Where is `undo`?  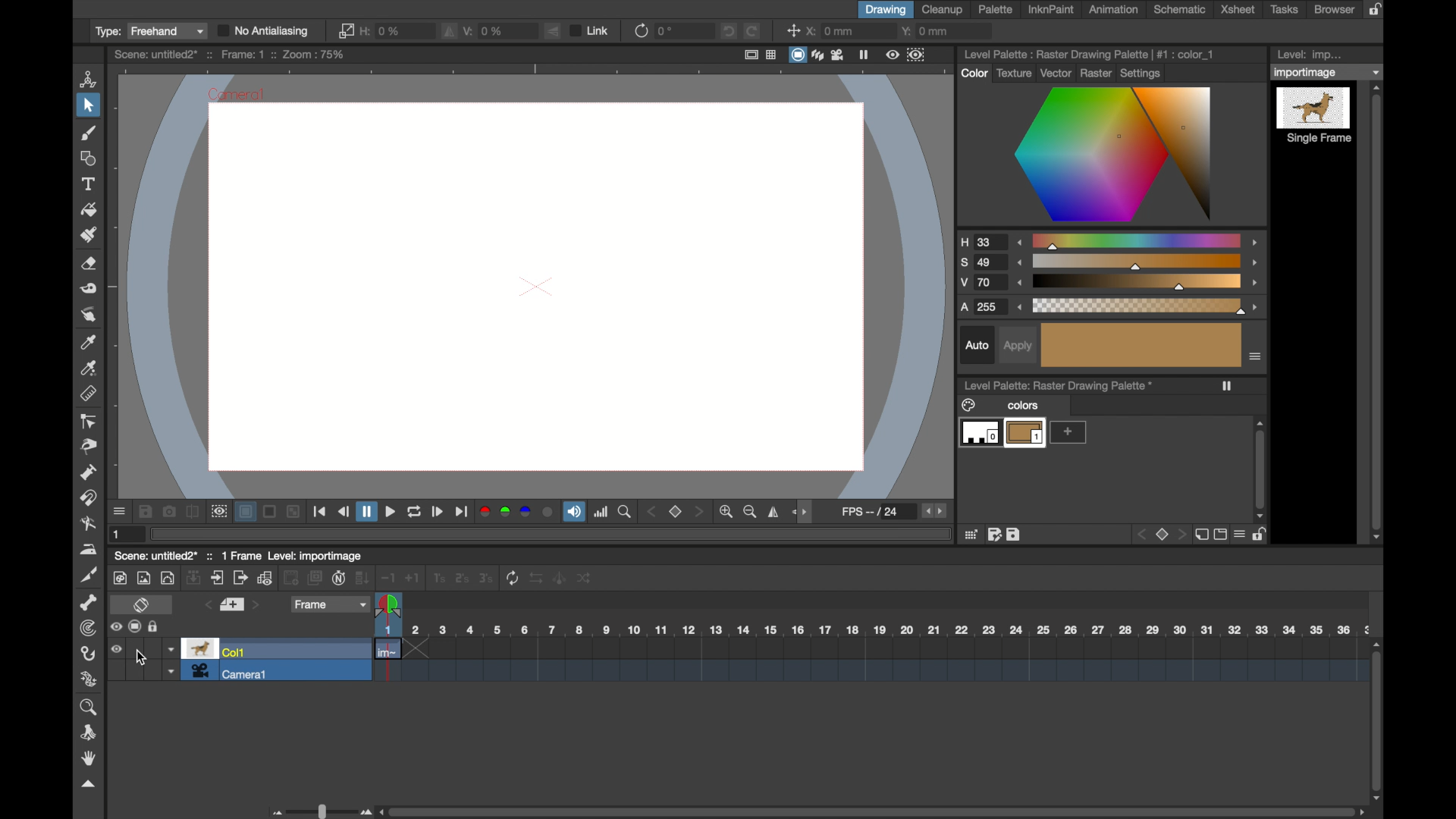 undo is located at coordinates (729, 31).